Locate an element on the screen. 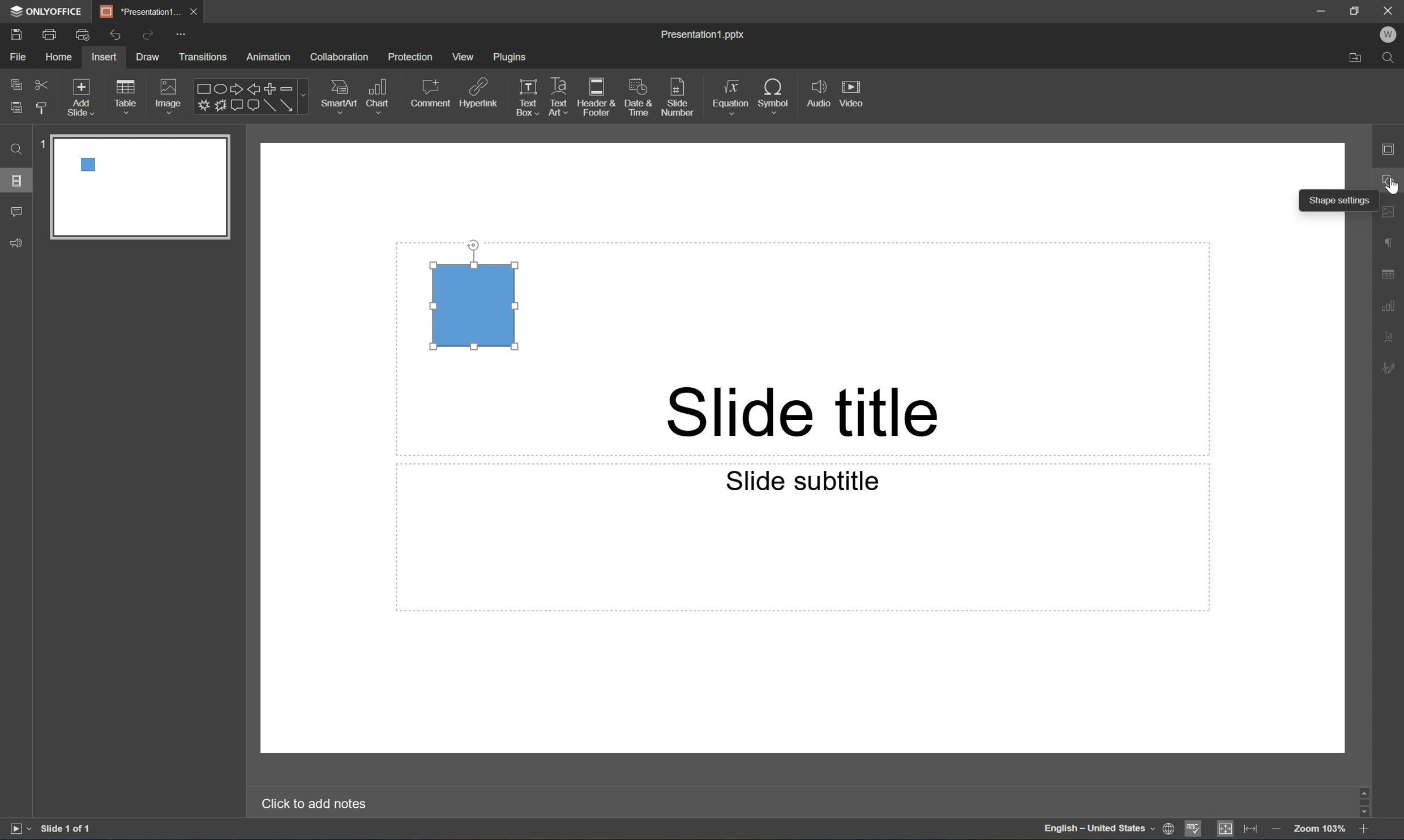 Image resolution: width=1404 pixels, height=840 pixels. Shape settings is located at coordinates (1340, 200).